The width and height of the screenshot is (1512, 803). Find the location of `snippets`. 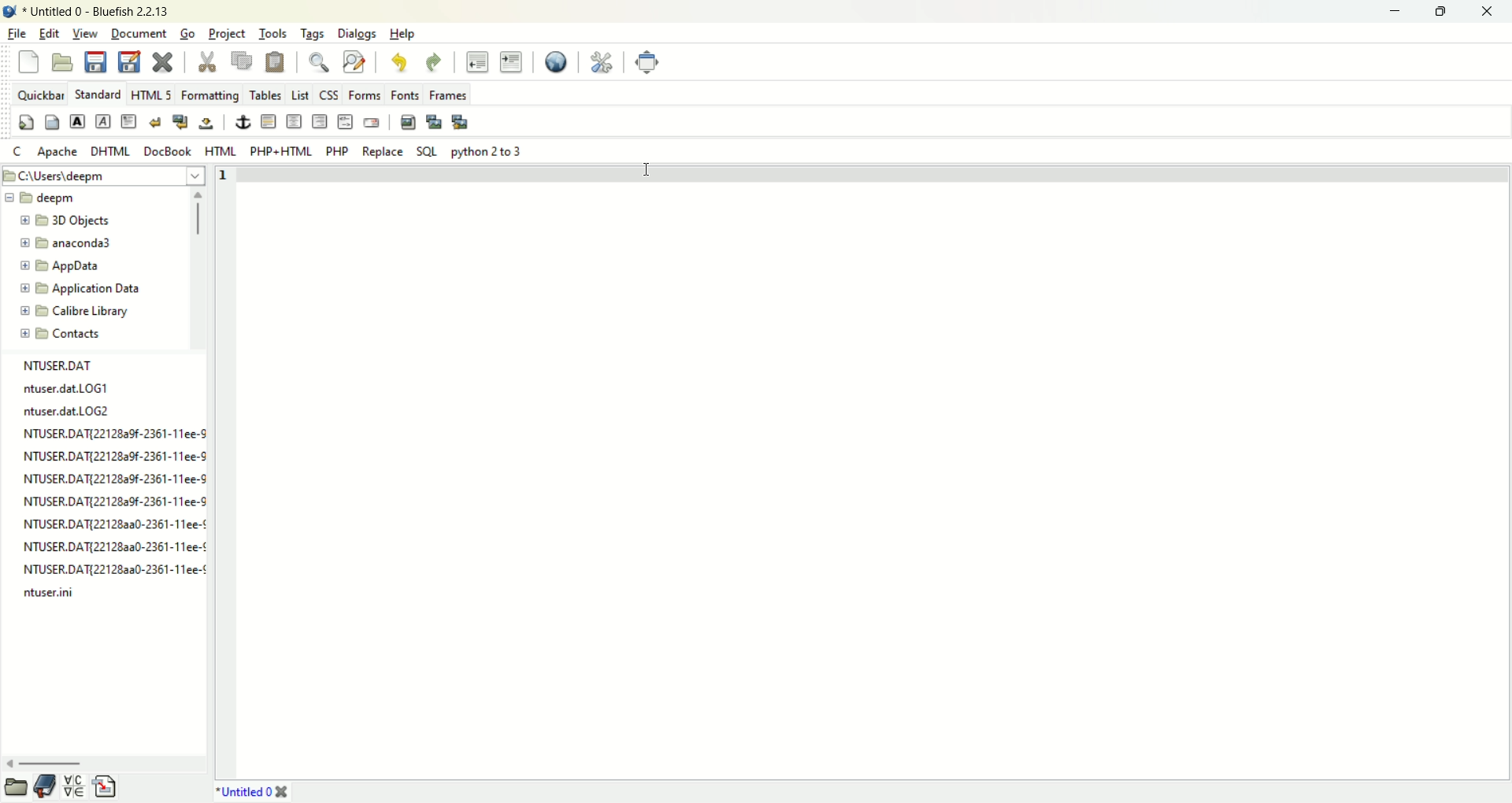

snippets is located at coordinates (107, 788).